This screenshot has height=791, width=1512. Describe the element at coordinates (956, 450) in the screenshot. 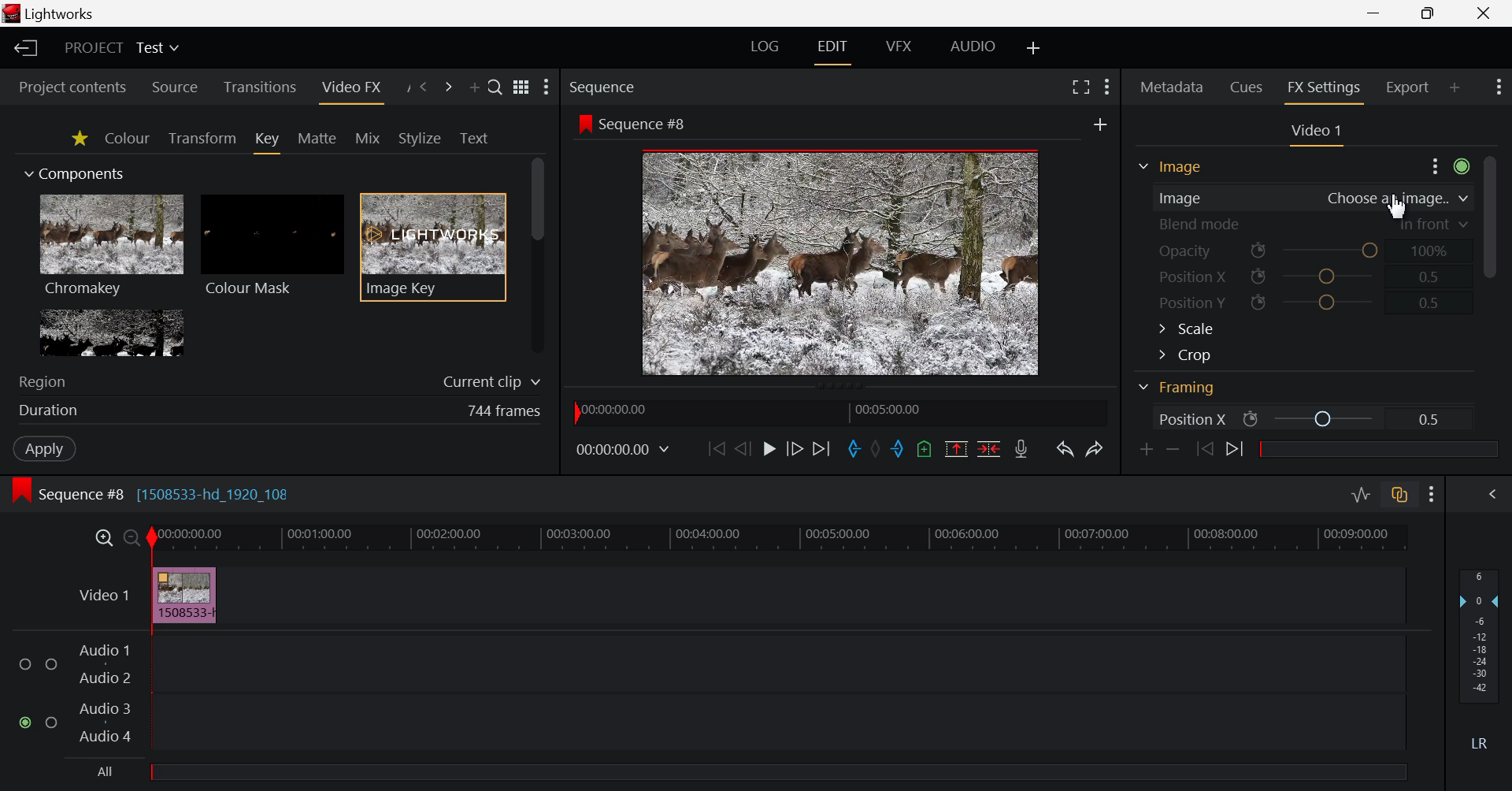

I see `Remove all marked section` at that location.